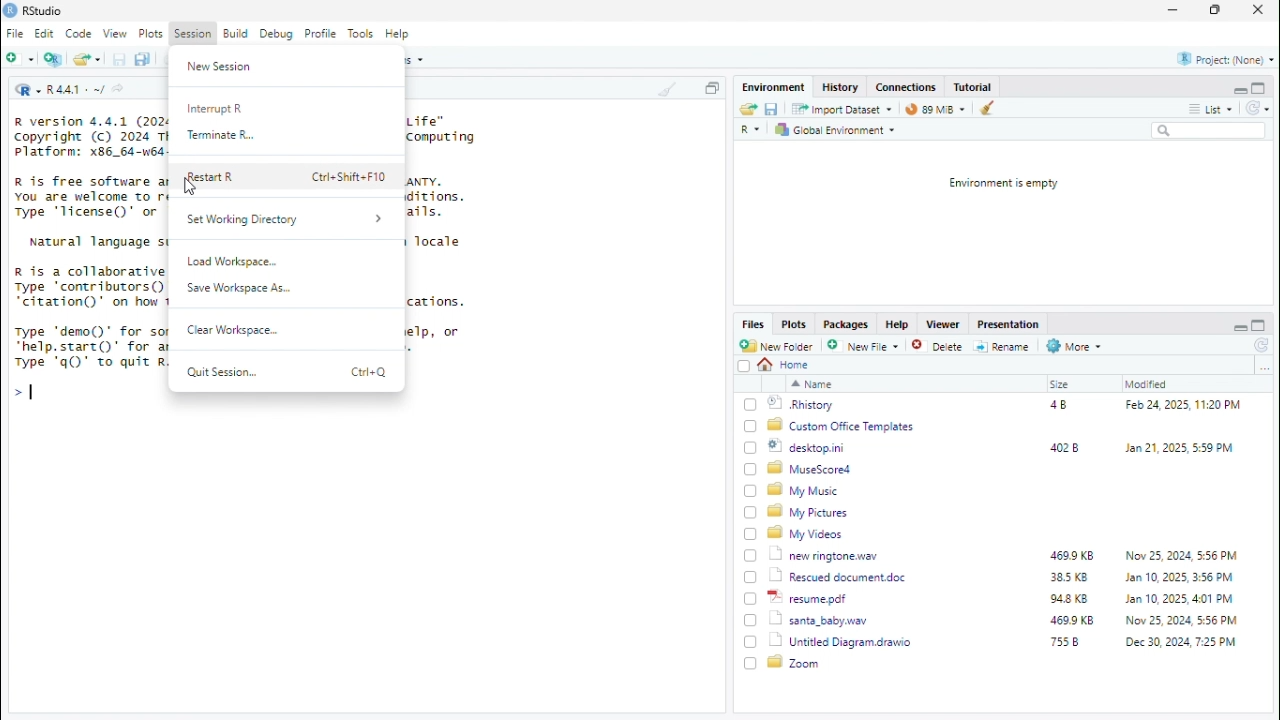 The image size is (1280, 720). What do you see at coordinates (1005, 642) in the screenshot?
I see `Untitled Diagram.drawio 755B Dec 30, 2024, 7.25 PM` at bounding box center [1005, 642].